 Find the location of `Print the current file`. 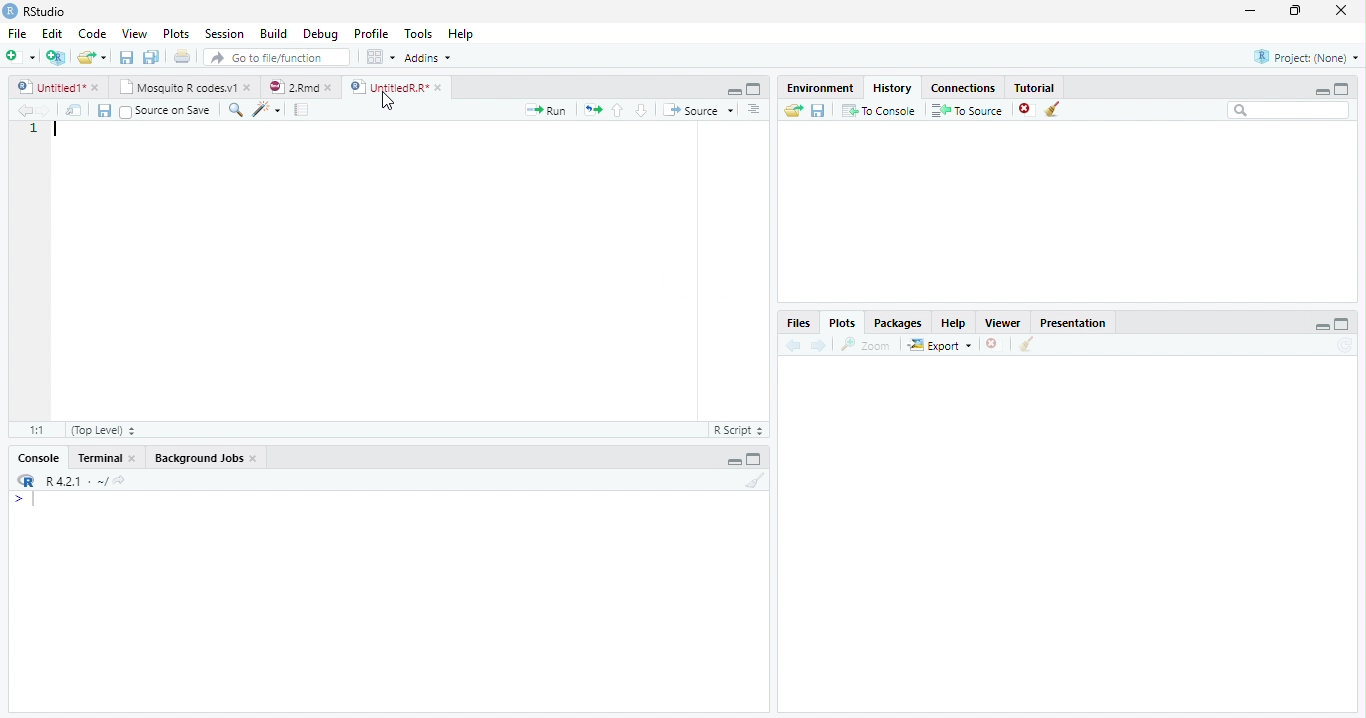

Print the current file is located at coordinates (183, 56).